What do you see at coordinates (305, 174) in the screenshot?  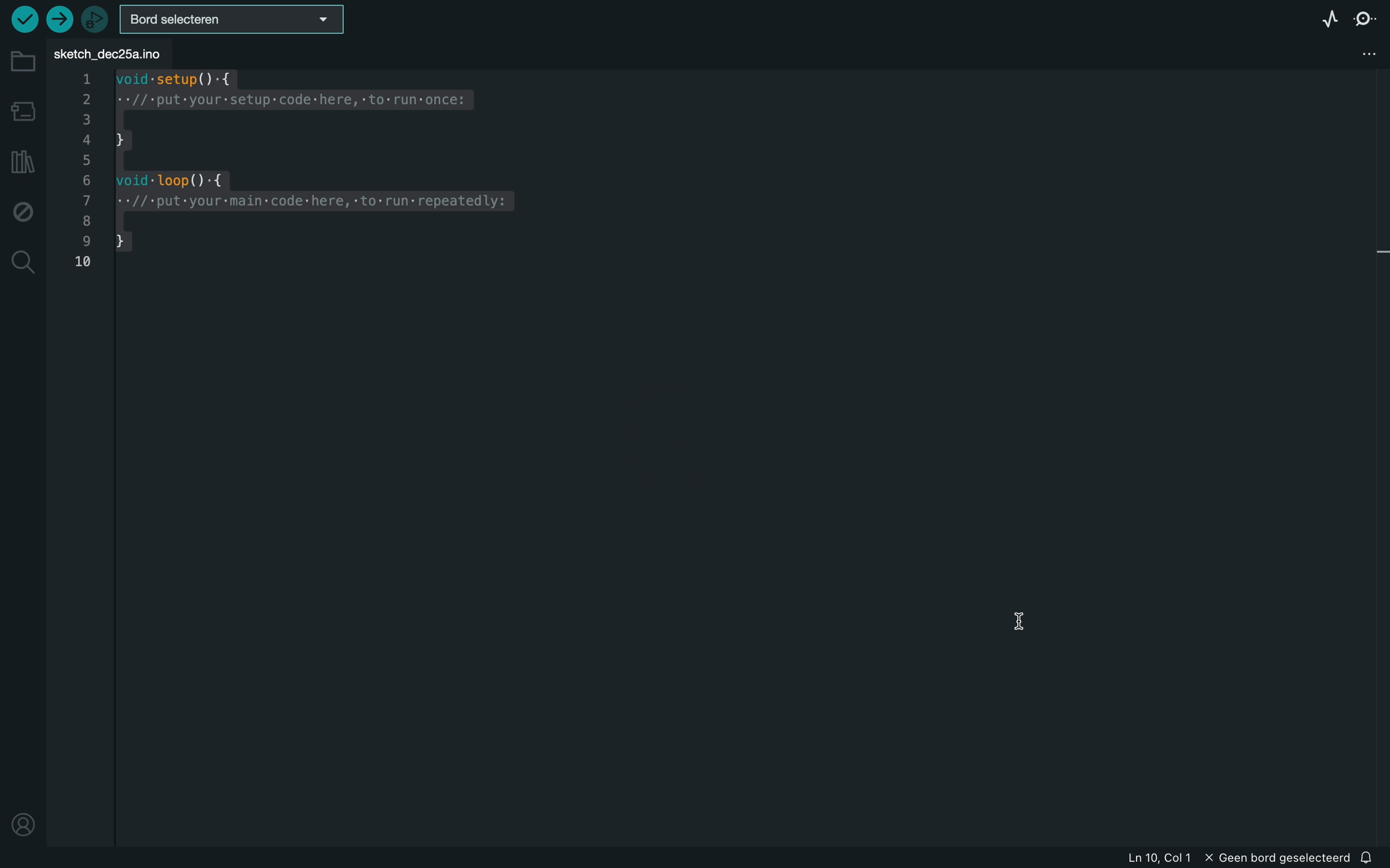 I see `code` at bounding box center [305, 174].